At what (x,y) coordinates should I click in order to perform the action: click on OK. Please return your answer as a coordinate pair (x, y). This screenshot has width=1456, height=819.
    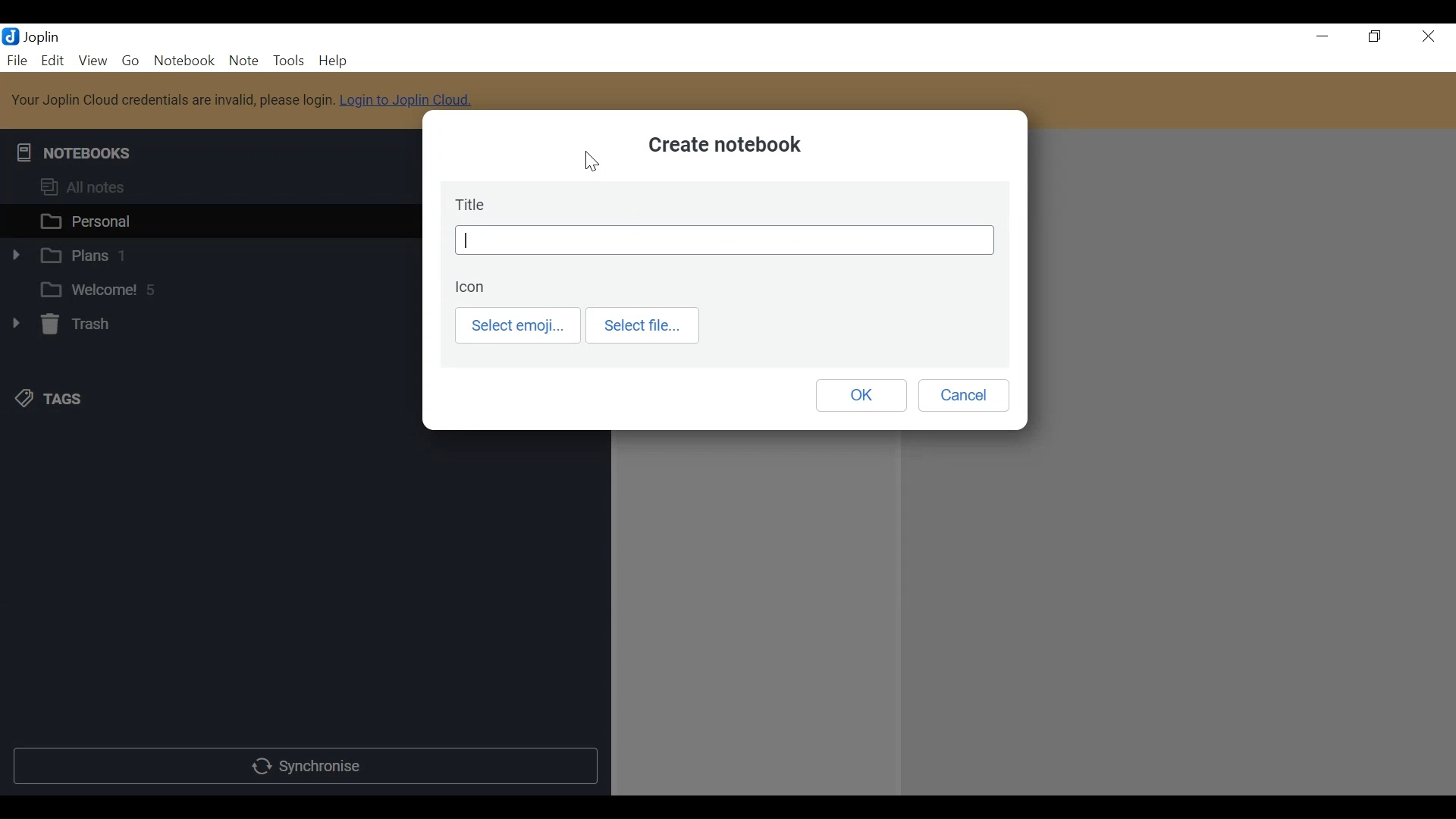
    Looking at the image, I should click on (859, 394).